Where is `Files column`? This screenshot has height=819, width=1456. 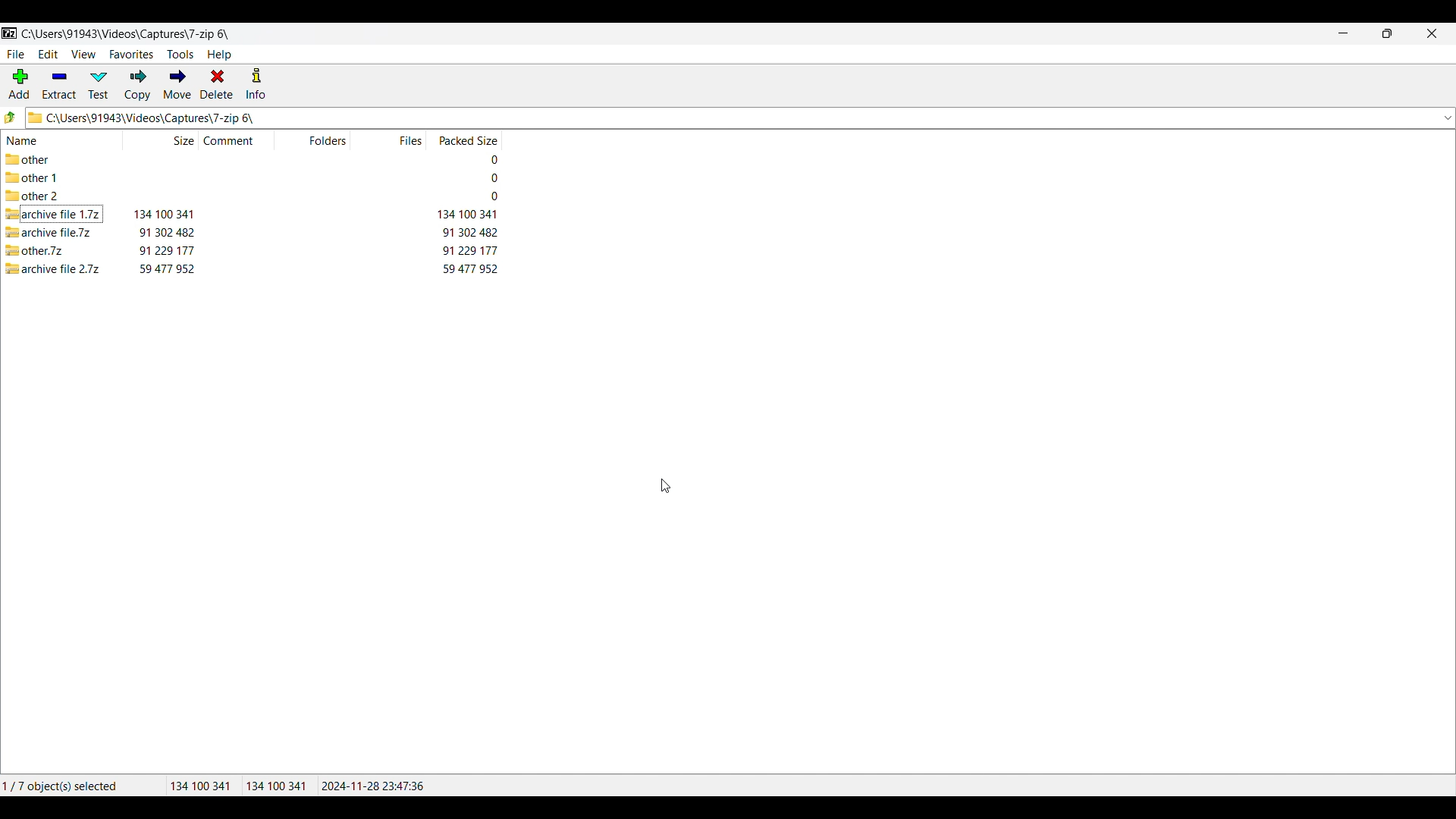 Files column is located at coordinates (408, 140).